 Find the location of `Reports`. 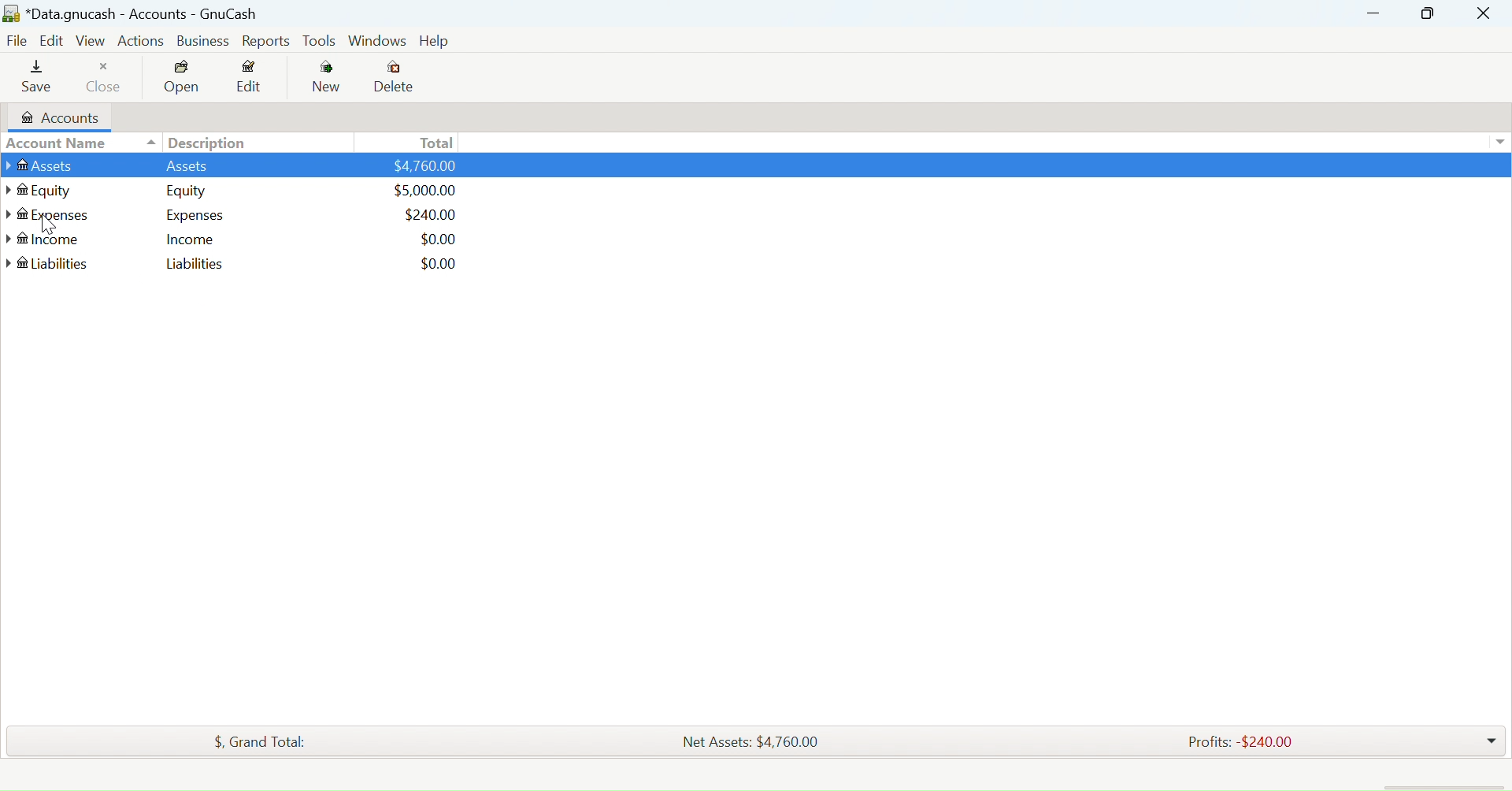

Reports is located at coordinates (266, 41).